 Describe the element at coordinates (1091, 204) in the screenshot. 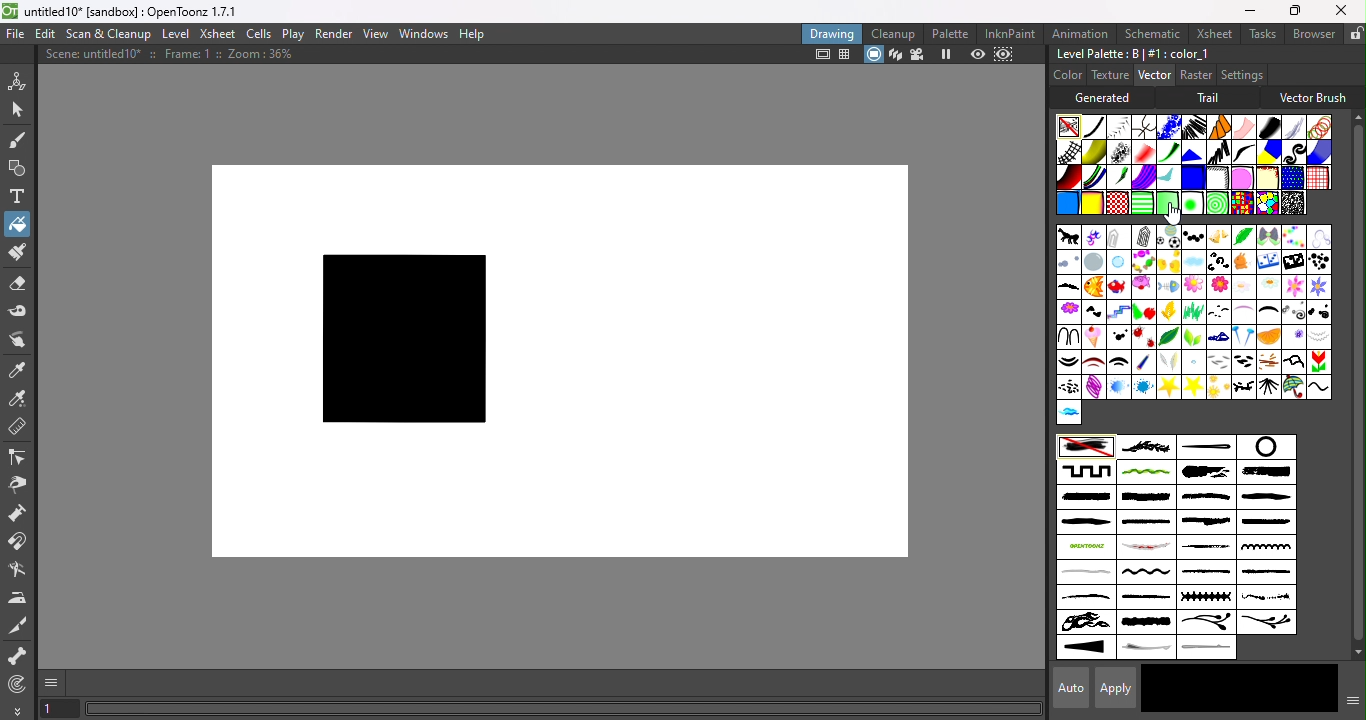

I see `Plain shadow` at that location.